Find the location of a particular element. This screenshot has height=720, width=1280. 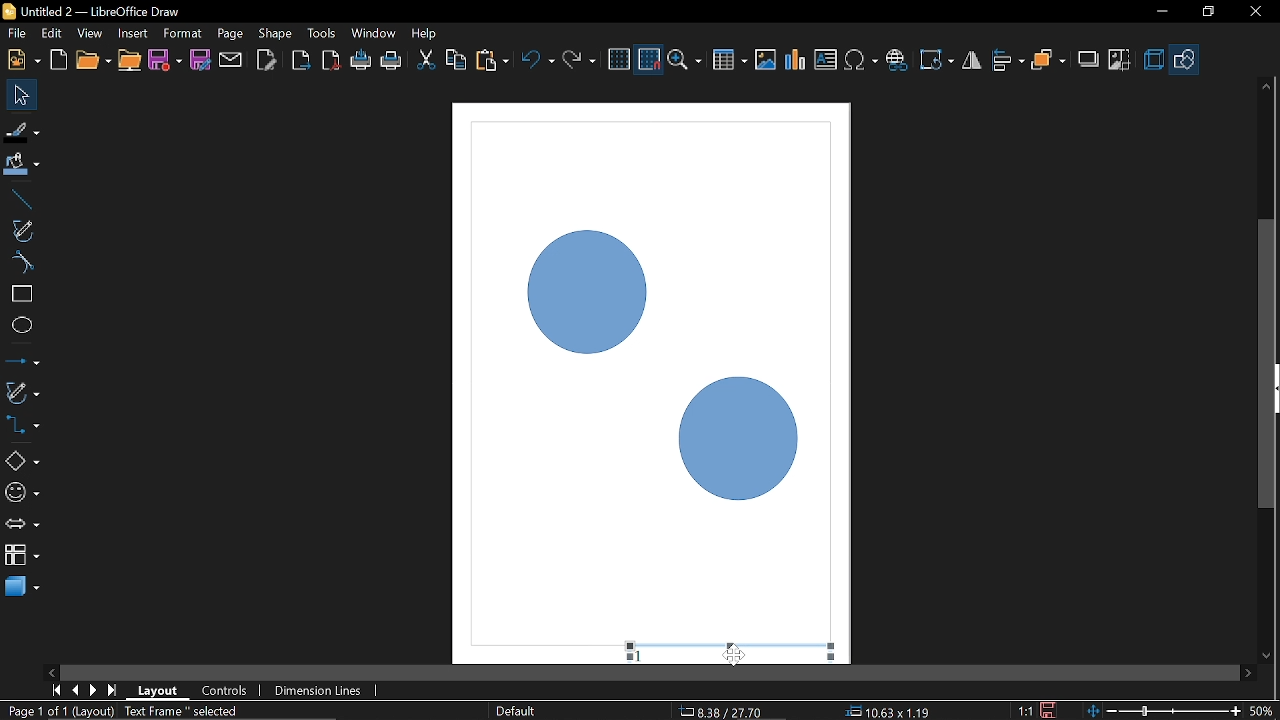

Open template manager is located at coordinates (58, 60).